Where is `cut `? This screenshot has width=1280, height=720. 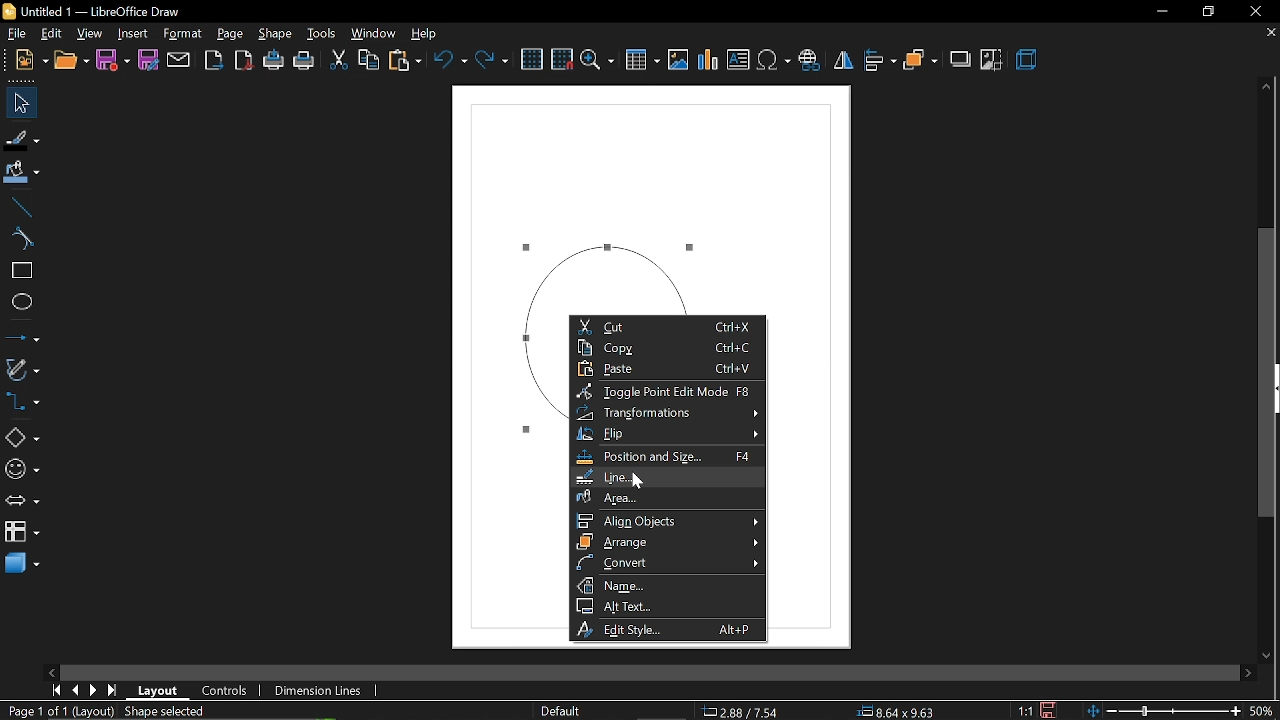 cut  is located at coordinates (339, 61).